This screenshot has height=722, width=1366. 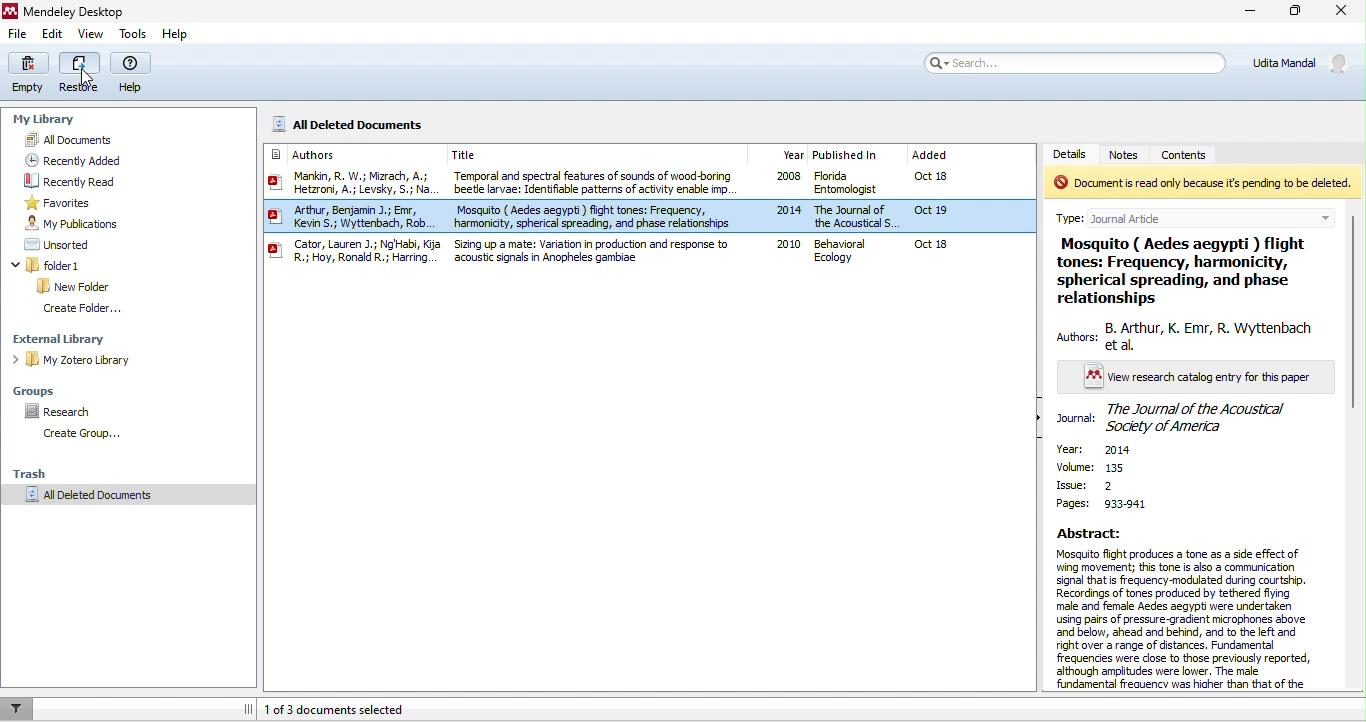 I want to click on trash, so click(x=40, y=473).